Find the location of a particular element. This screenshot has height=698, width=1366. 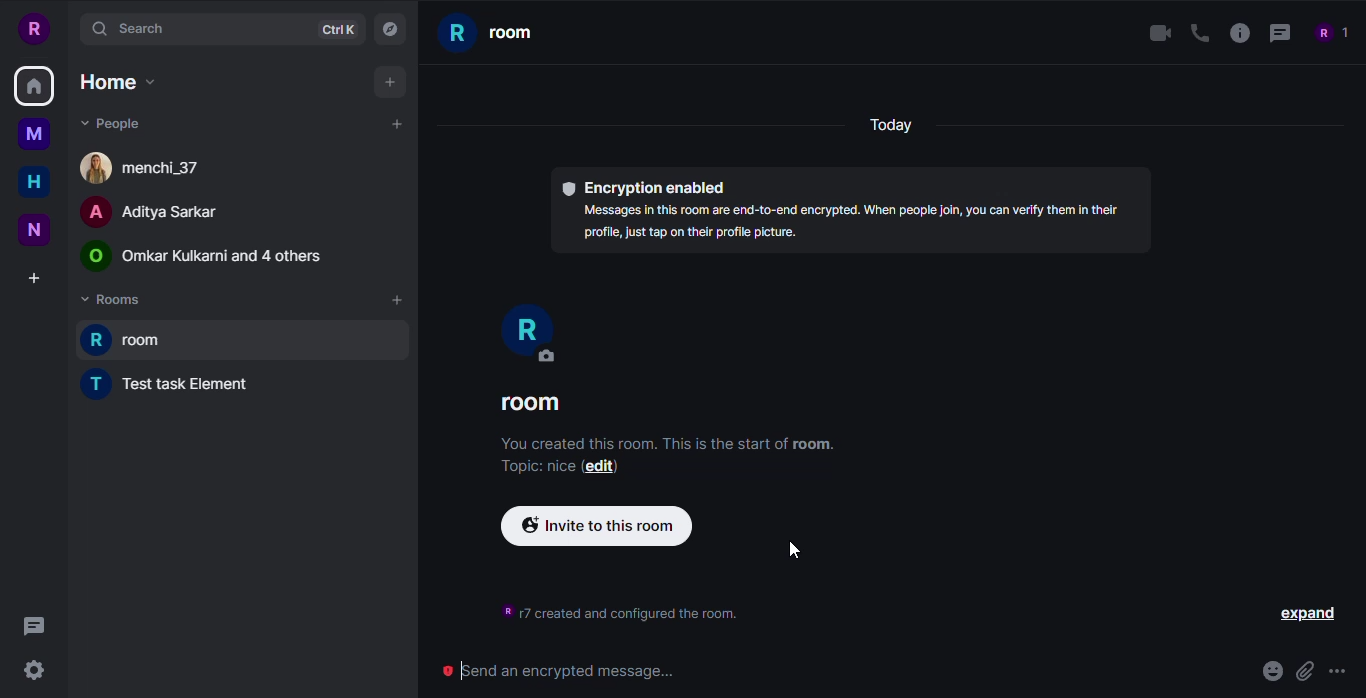

info is located at coordinates (617, 609).